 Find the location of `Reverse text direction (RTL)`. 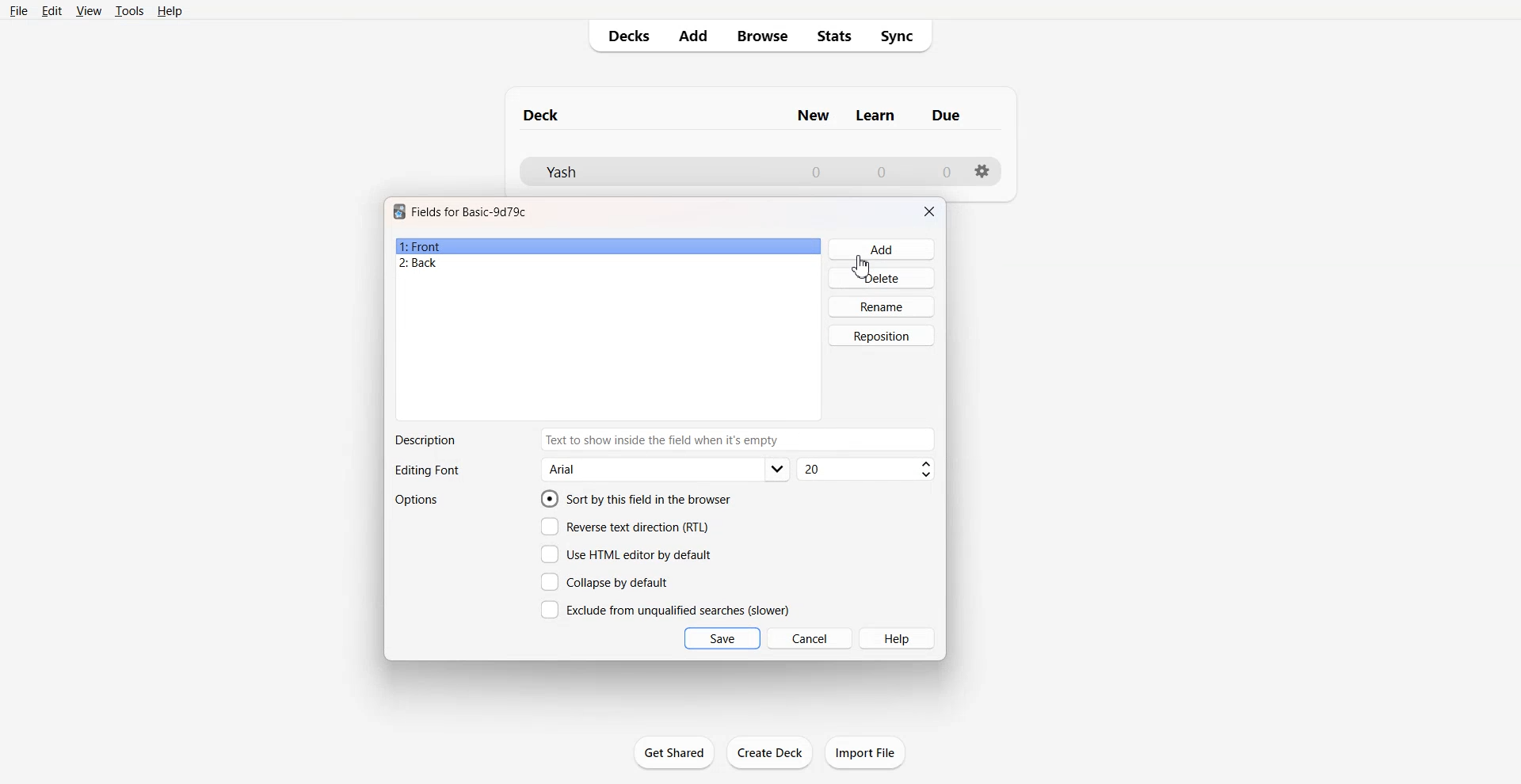

Reverse text direction (RTL) is located at coordinates (625, 527).